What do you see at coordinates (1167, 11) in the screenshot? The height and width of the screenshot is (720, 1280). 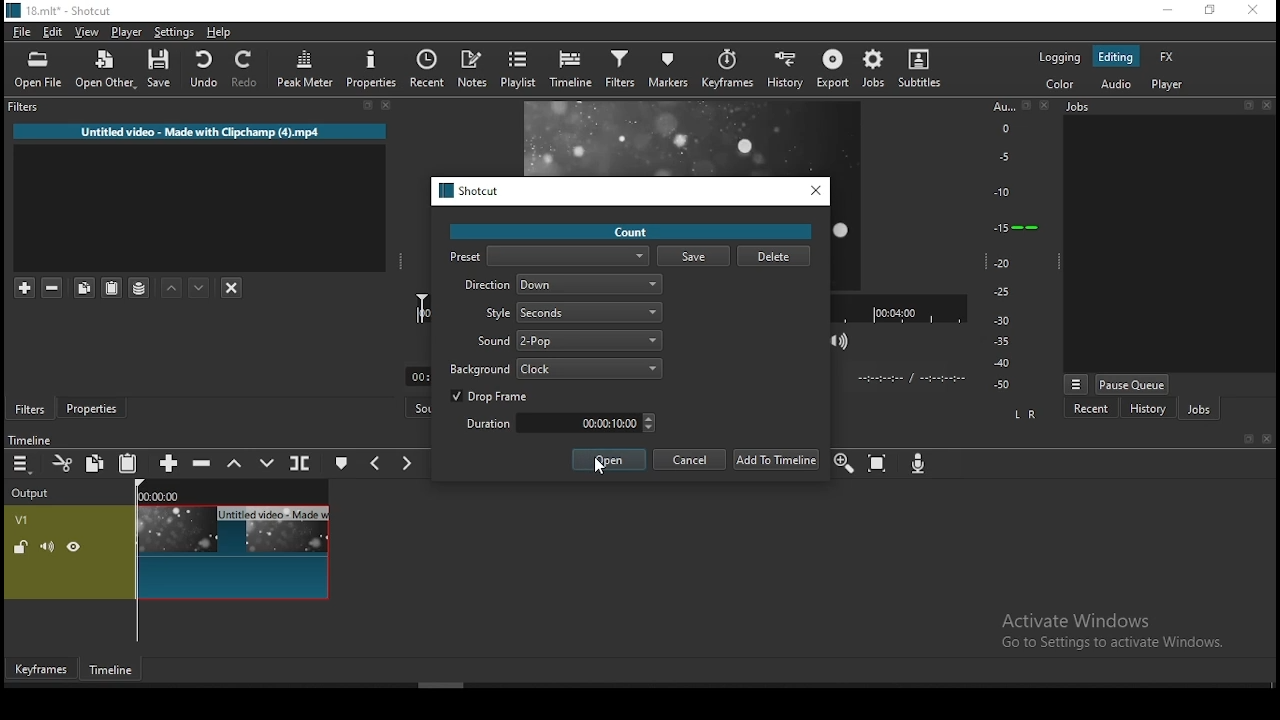 I see `minimize` at bounding box center [1167, 11].